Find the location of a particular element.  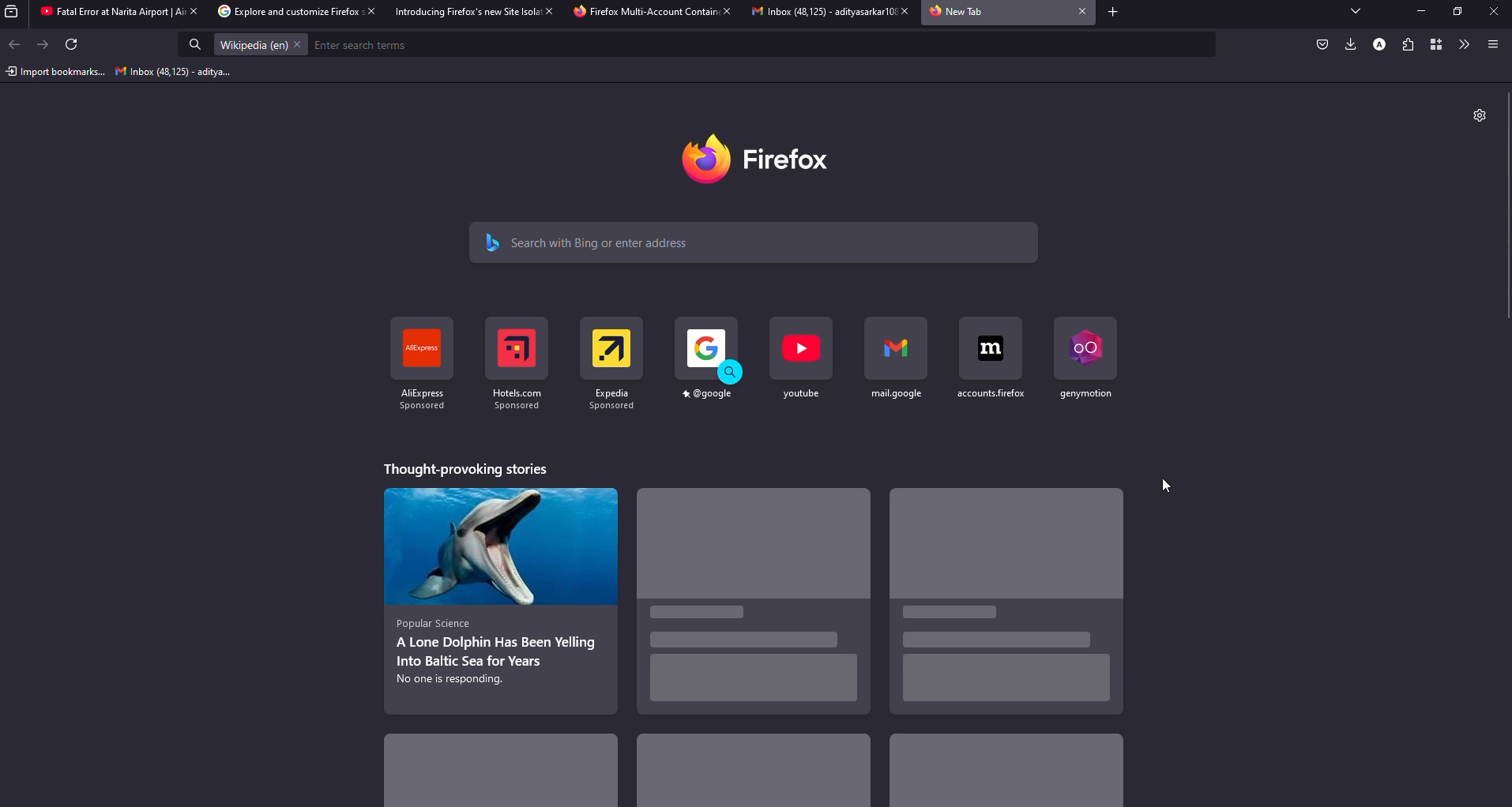

tab is located at coordinates (814, 13).